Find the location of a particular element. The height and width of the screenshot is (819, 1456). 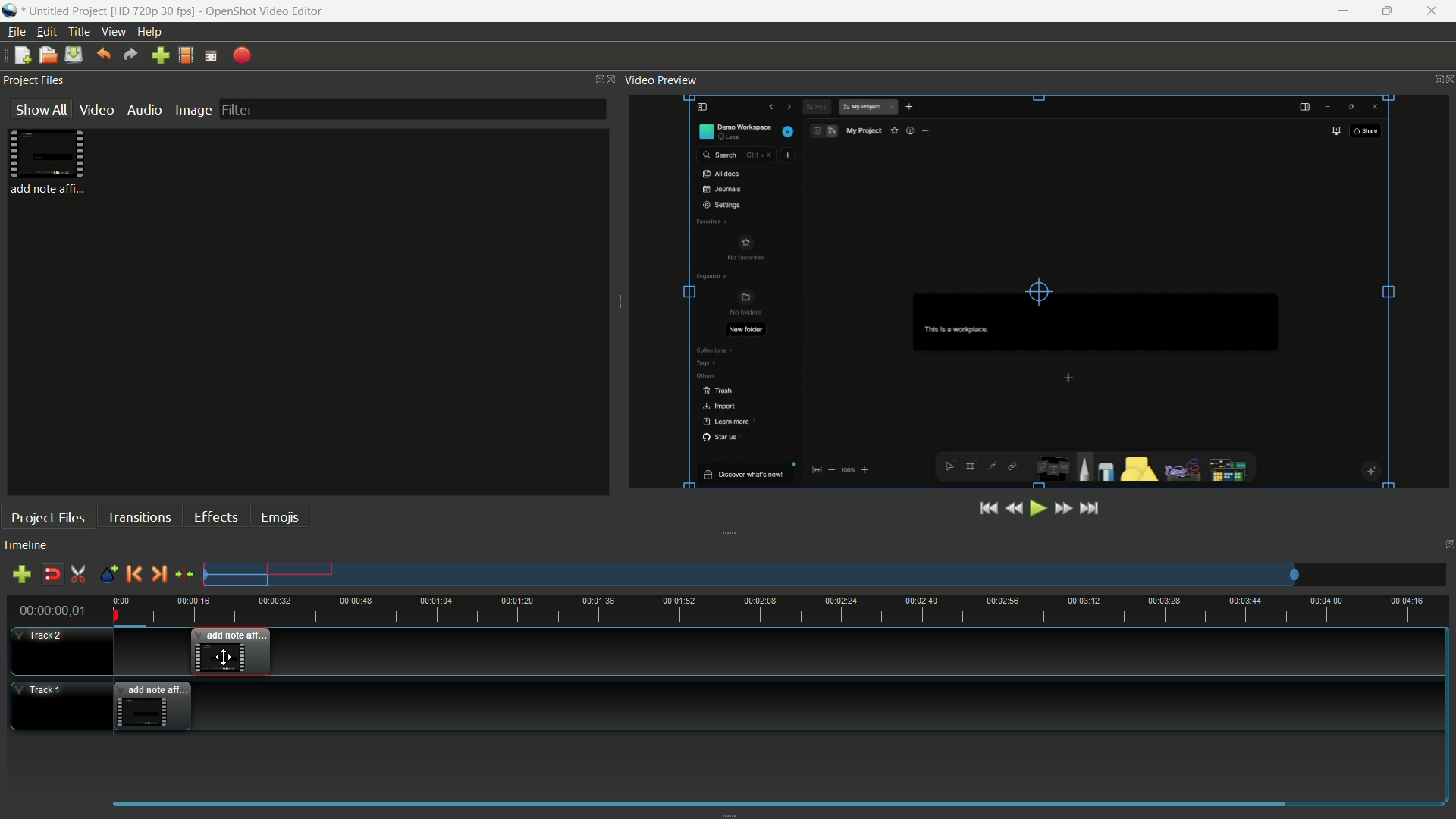

video is located at coordinates (95, 110).